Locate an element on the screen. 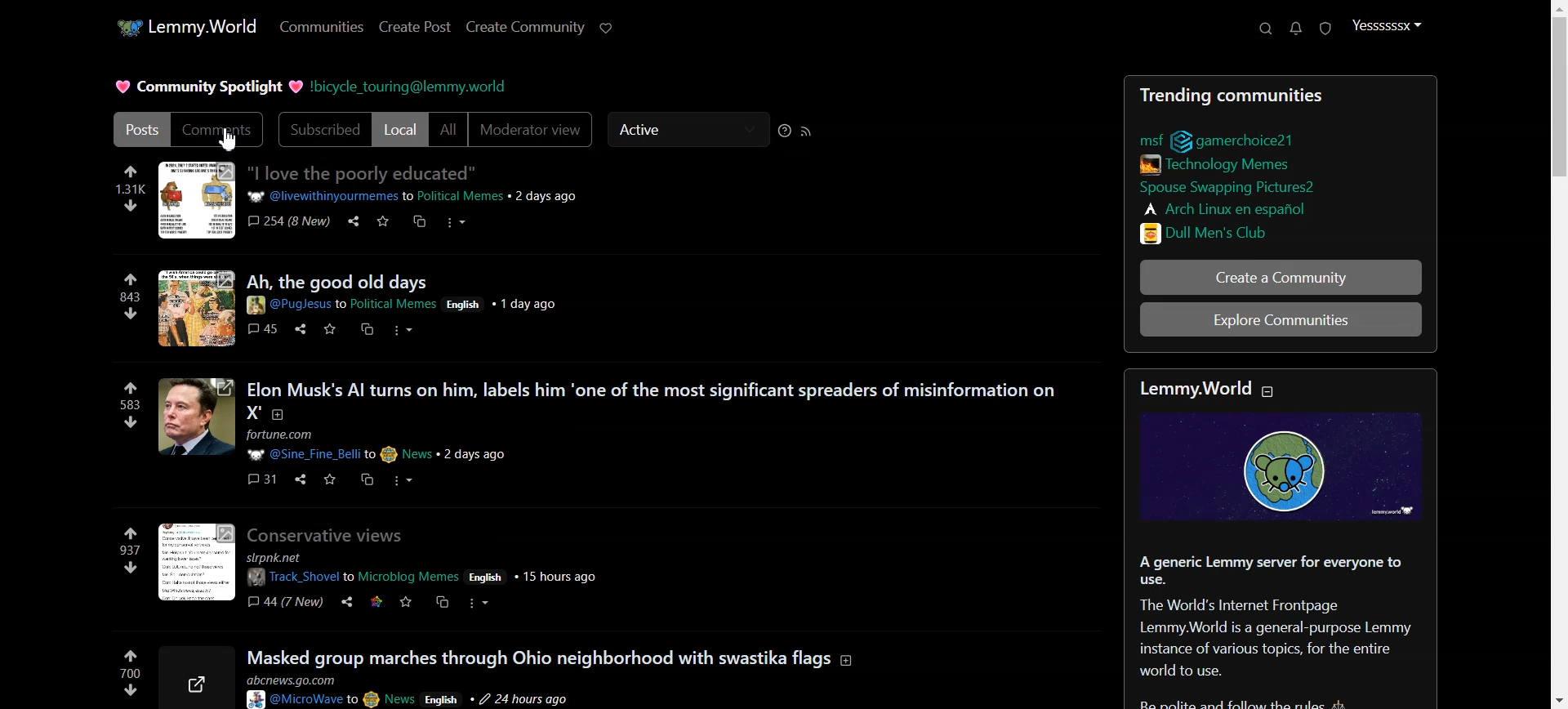  Text is located at coordinates (1282, 627).